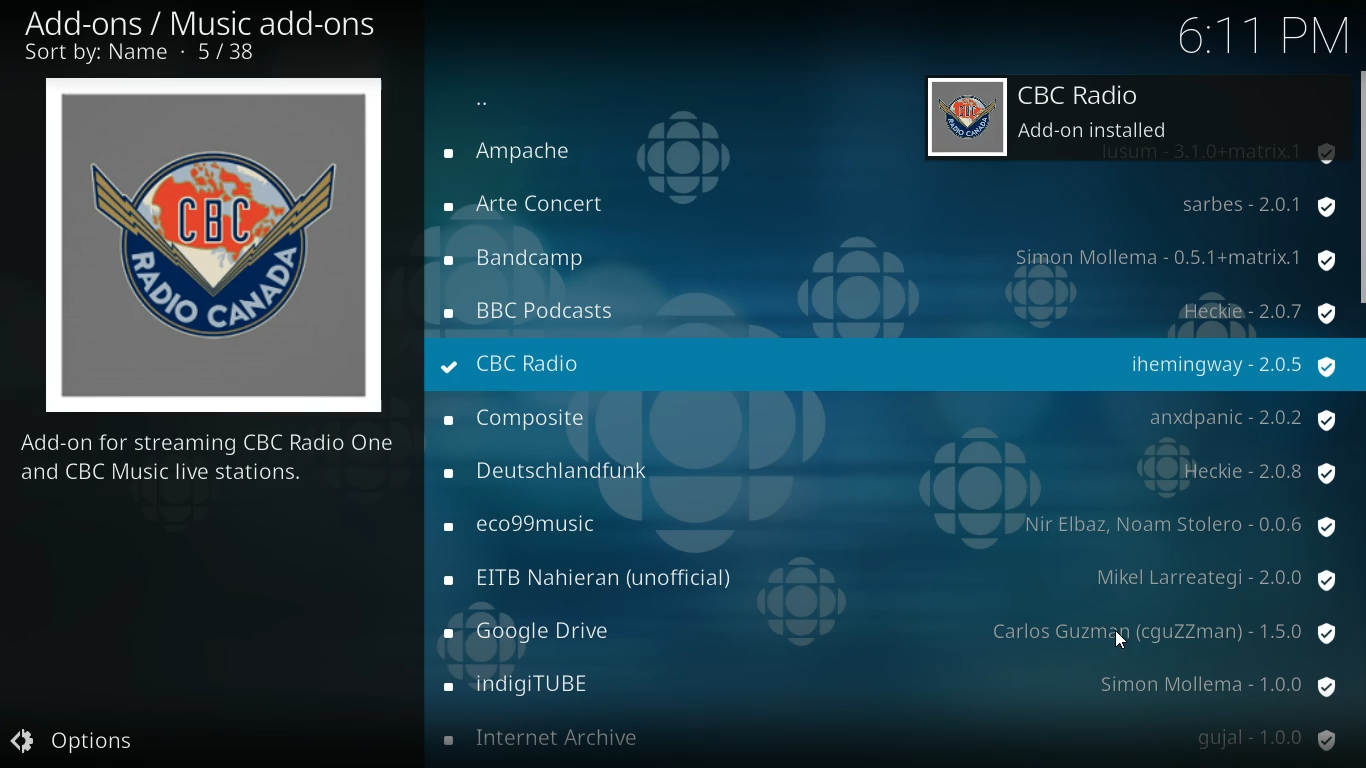  Describe the element at coordinates (1254, 739) in the screenshot. I see `protection` at that location.